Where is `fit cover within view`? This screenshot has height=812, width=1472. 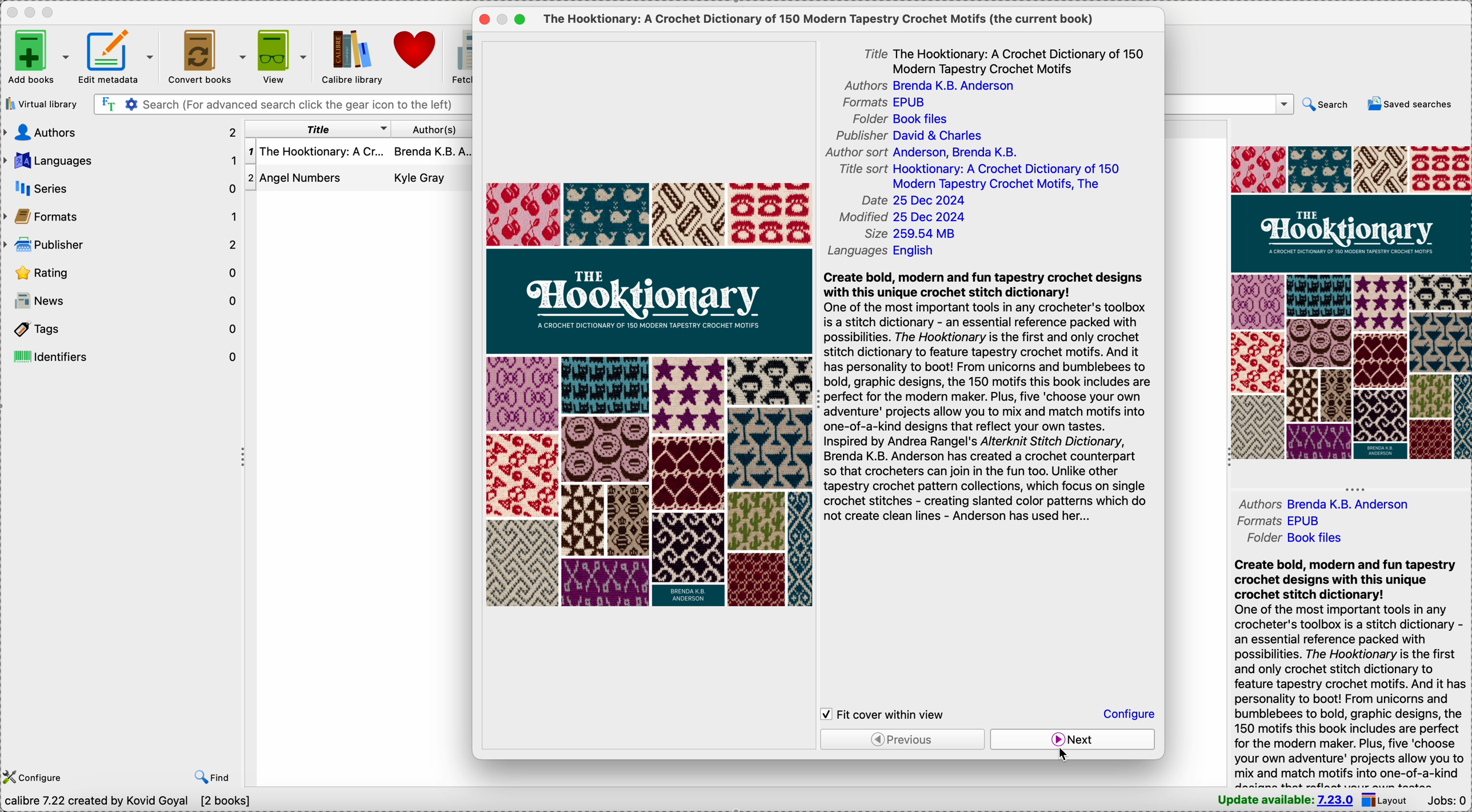
fit cover within view is located at coordinates (888, 713).